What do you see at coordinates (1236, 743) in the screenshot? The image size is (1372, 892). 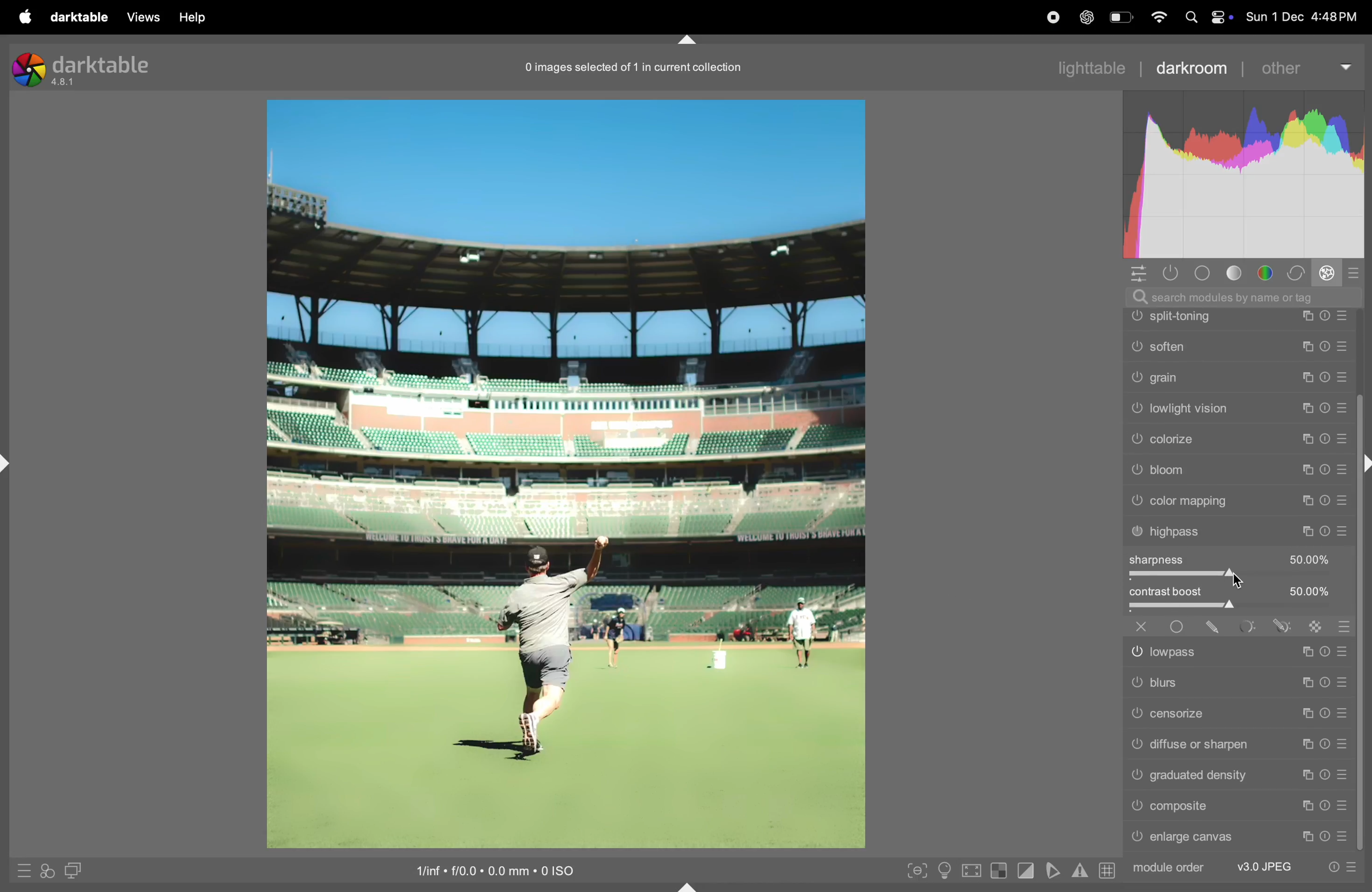 I see `difuse shapen` at bounding box center [1236, 743].